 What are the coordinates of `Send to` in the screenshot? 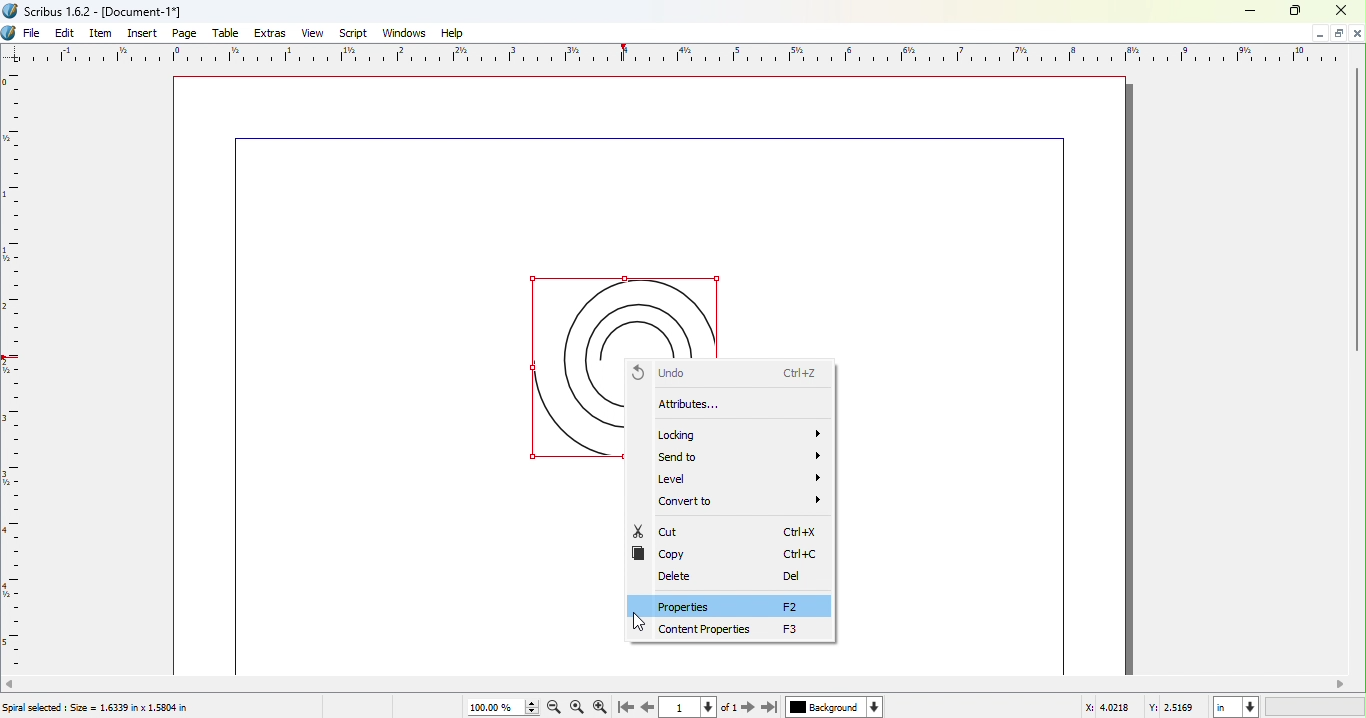 It's located at (740, 457).